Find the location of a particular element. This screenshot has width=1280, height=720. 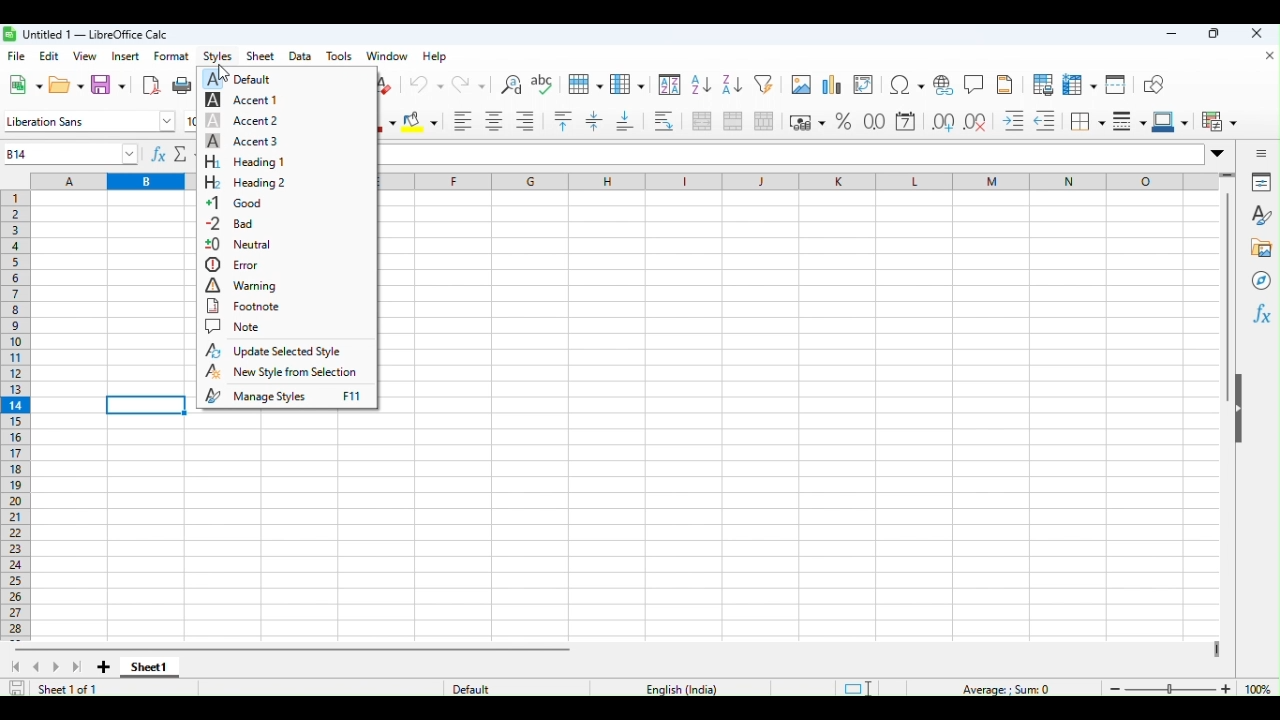

Edit is located at coordinates (47, 54).